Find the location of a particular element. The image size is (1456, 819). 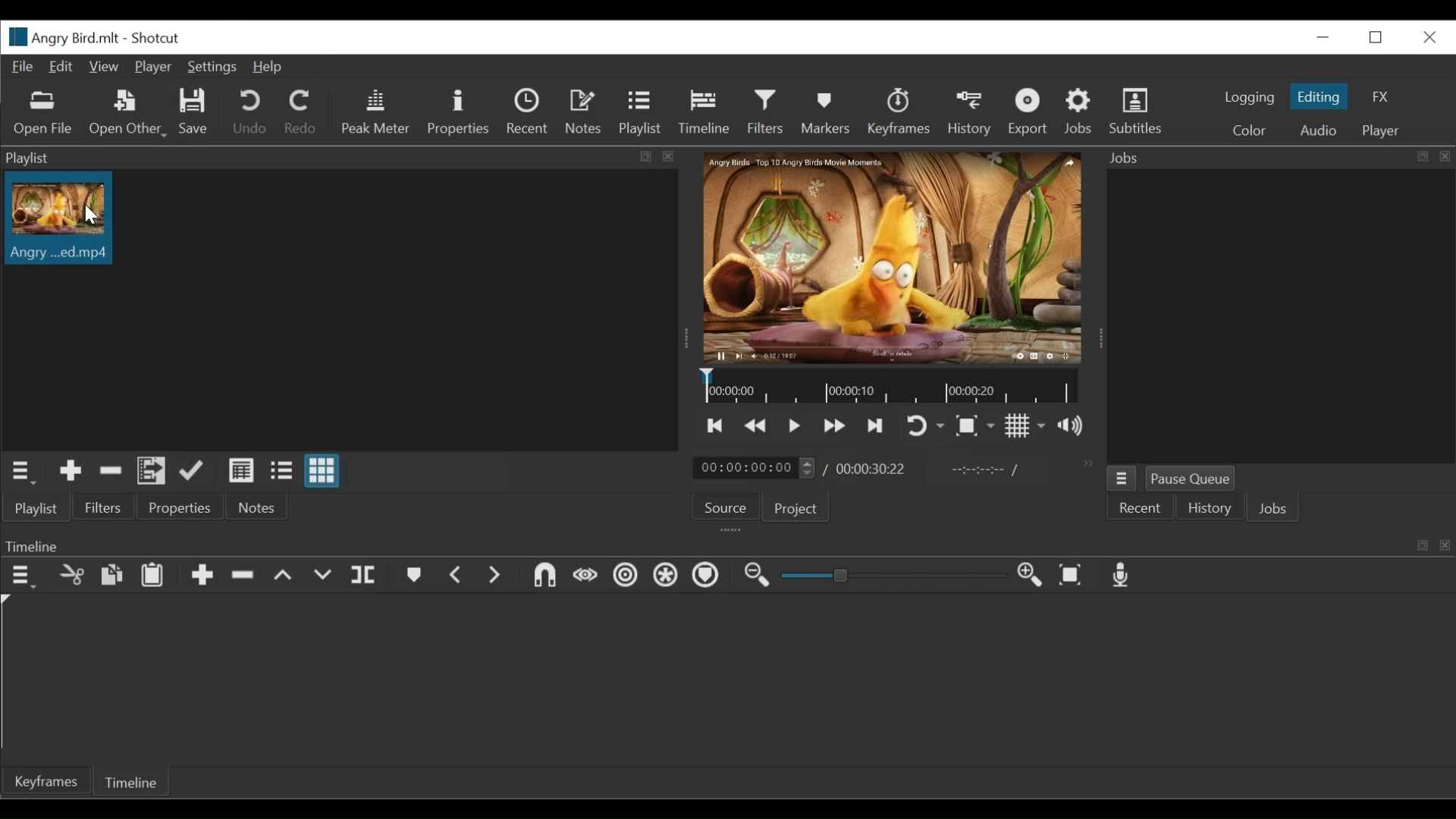

Add the Source to the playlist is located at coordinates (70, 471).